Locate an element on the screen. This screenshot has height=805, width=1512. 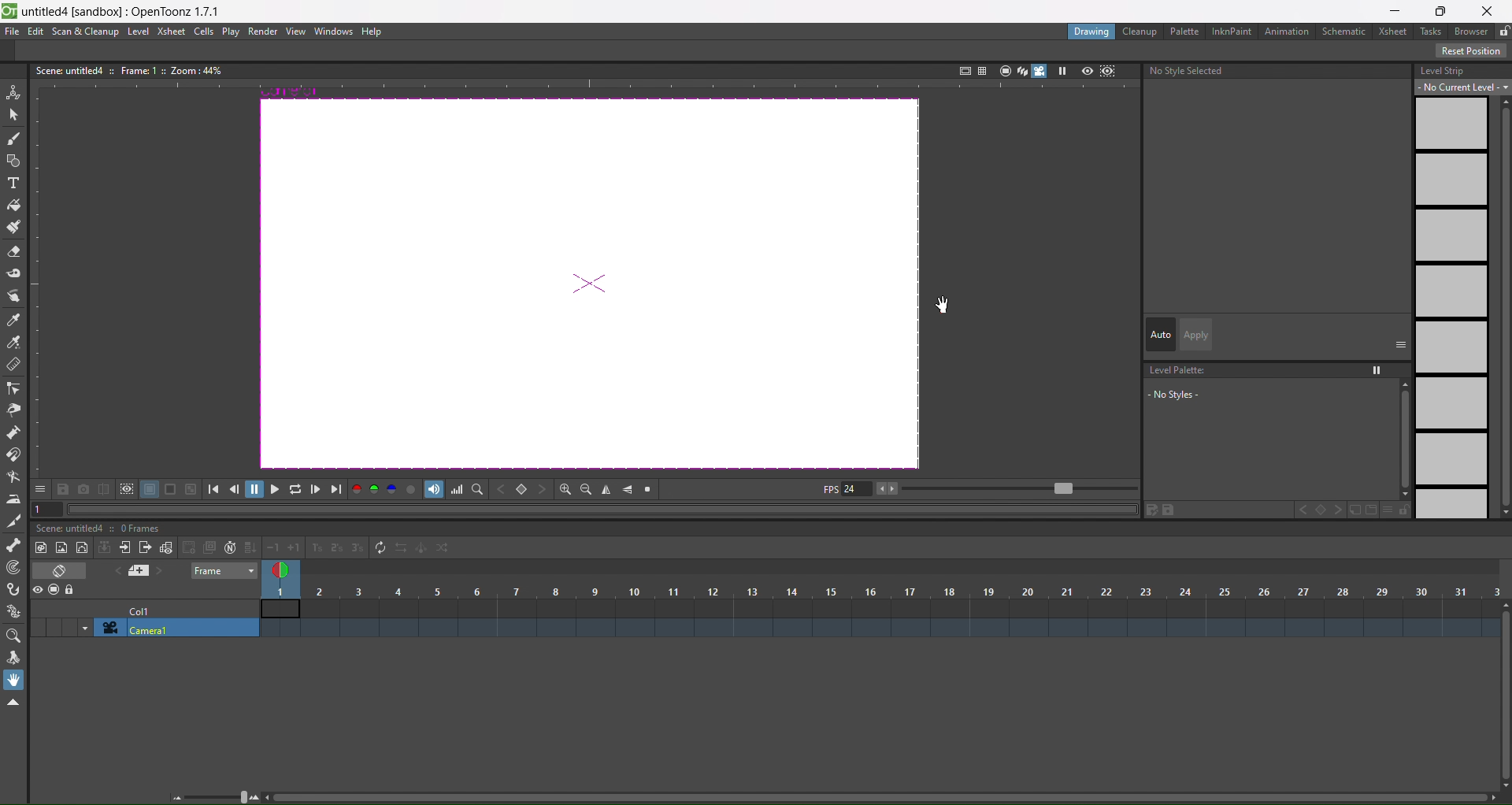
sub camera preview is located at coordinates (1108, 71).